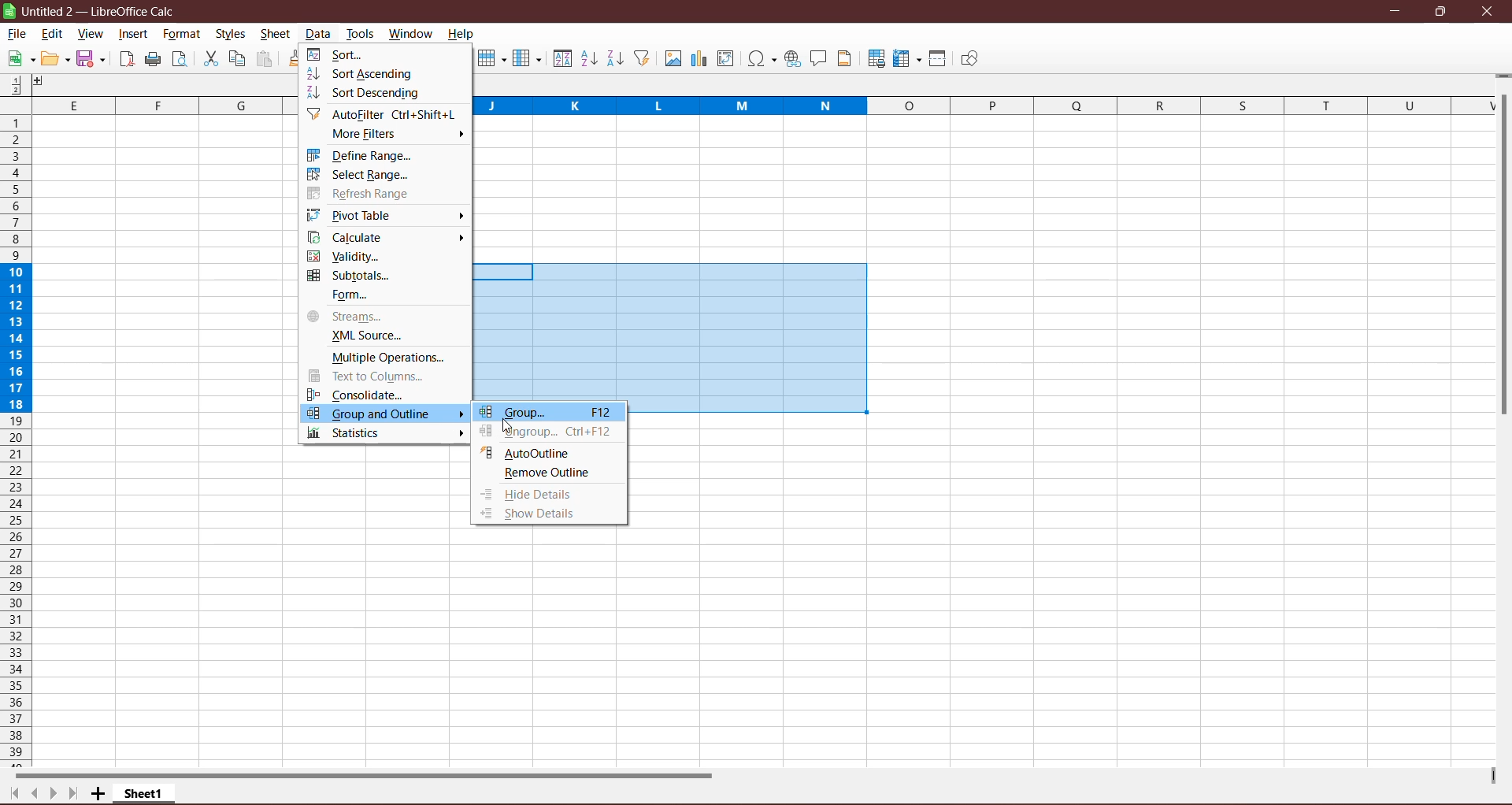 This screenshot has width=1512, height=805. Describe the element at coordinates (876, 60) in the screenshot. I see `Define Print Area` at that location.